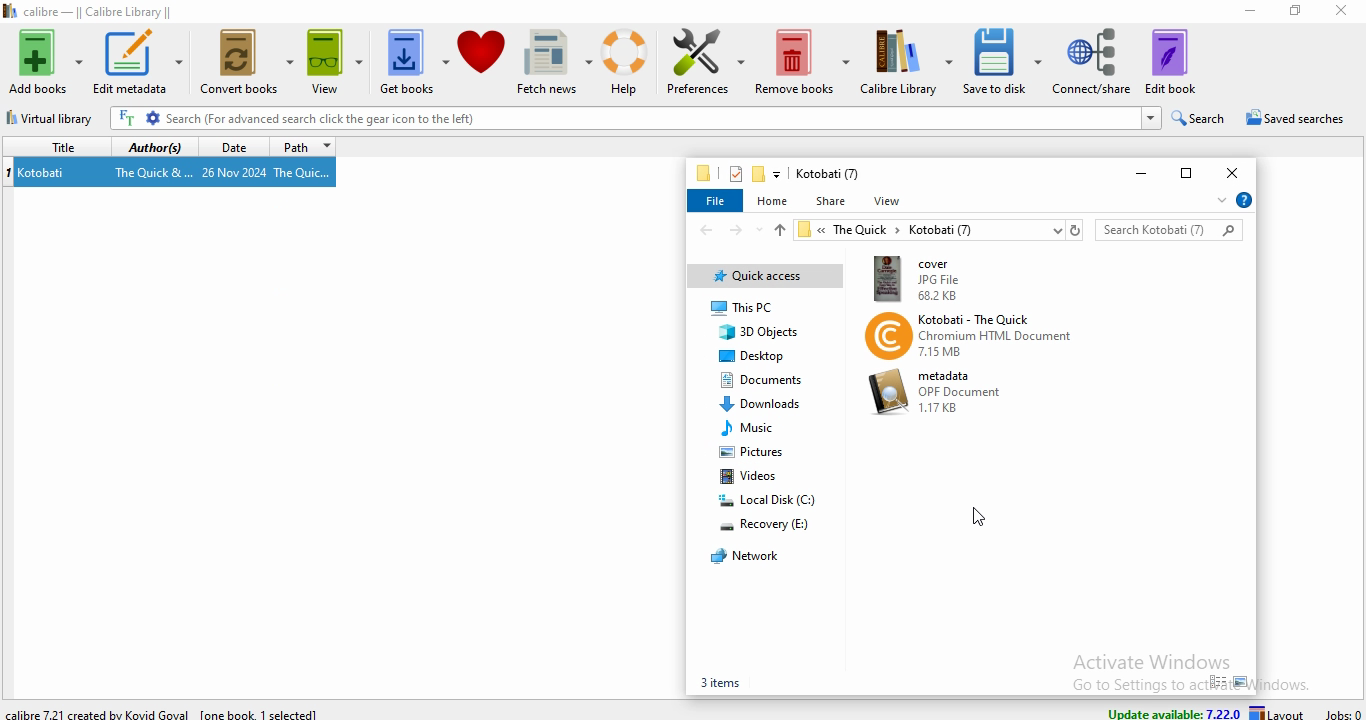  Describe the element at coordinates (802, 60) in the screenshot. I see `remove books` at that location.